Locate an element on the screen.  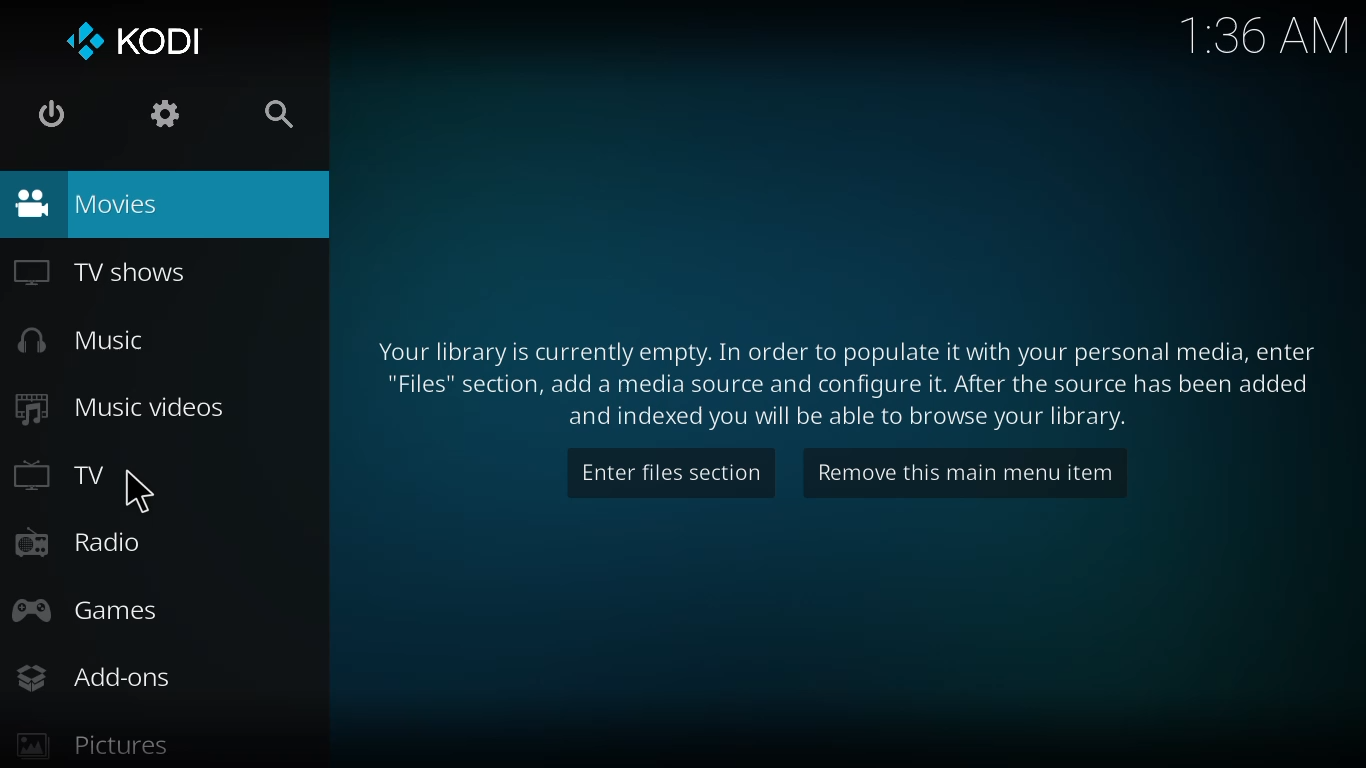
info is located at coordinates (838, 381).